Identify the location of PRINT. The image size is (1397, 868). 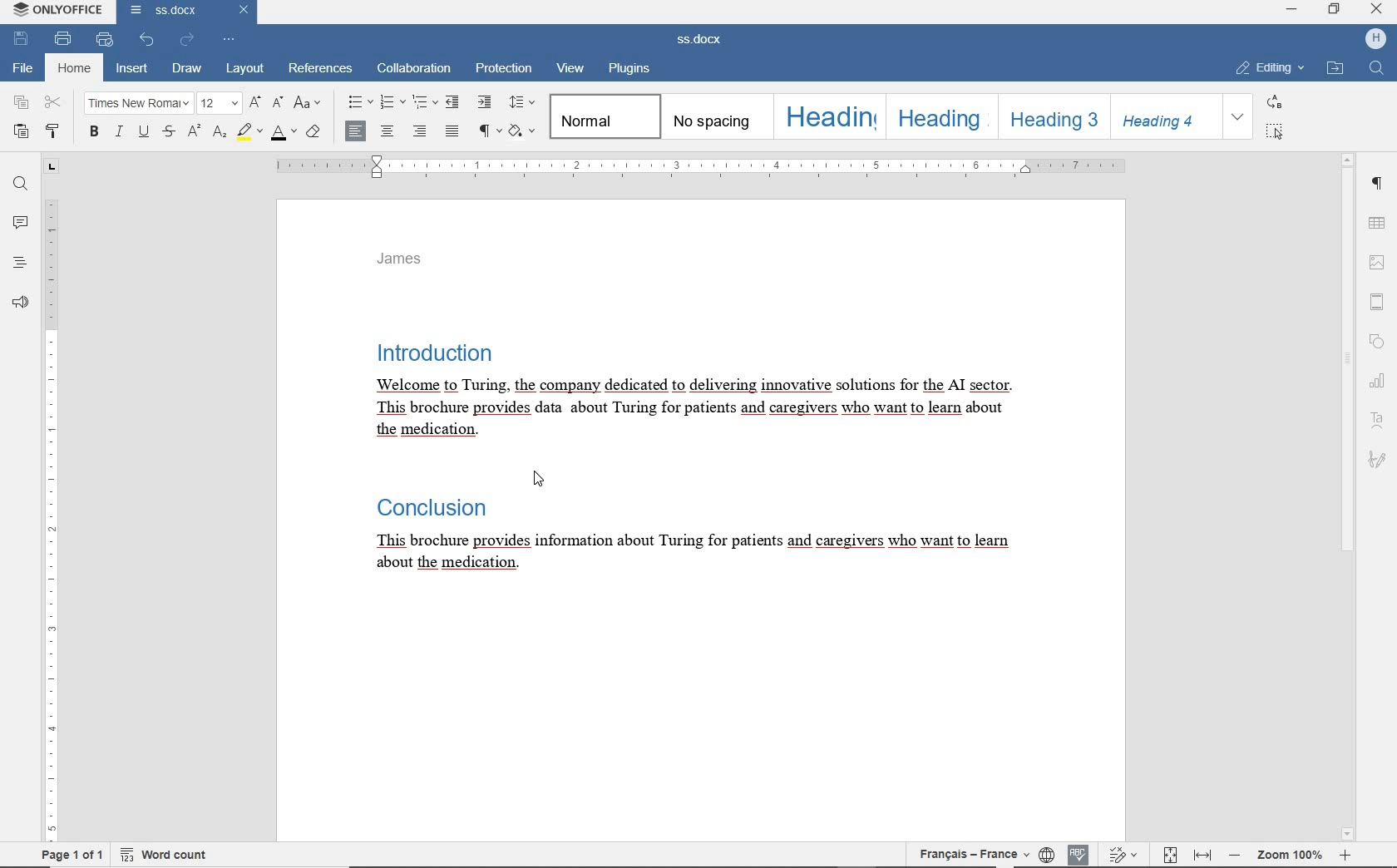
(62, 39).